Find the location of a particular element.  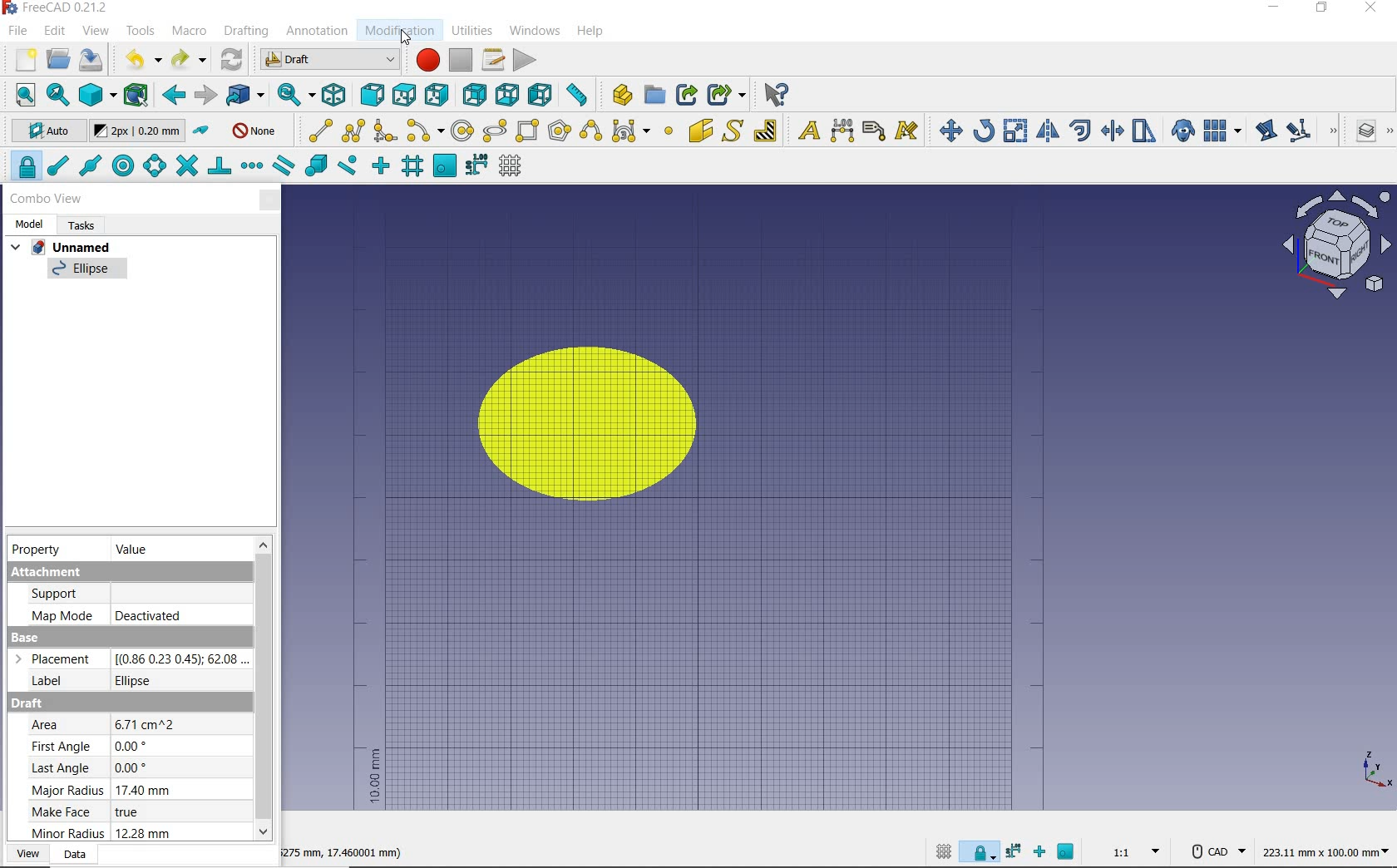

text is located at coordinates (806, 128).